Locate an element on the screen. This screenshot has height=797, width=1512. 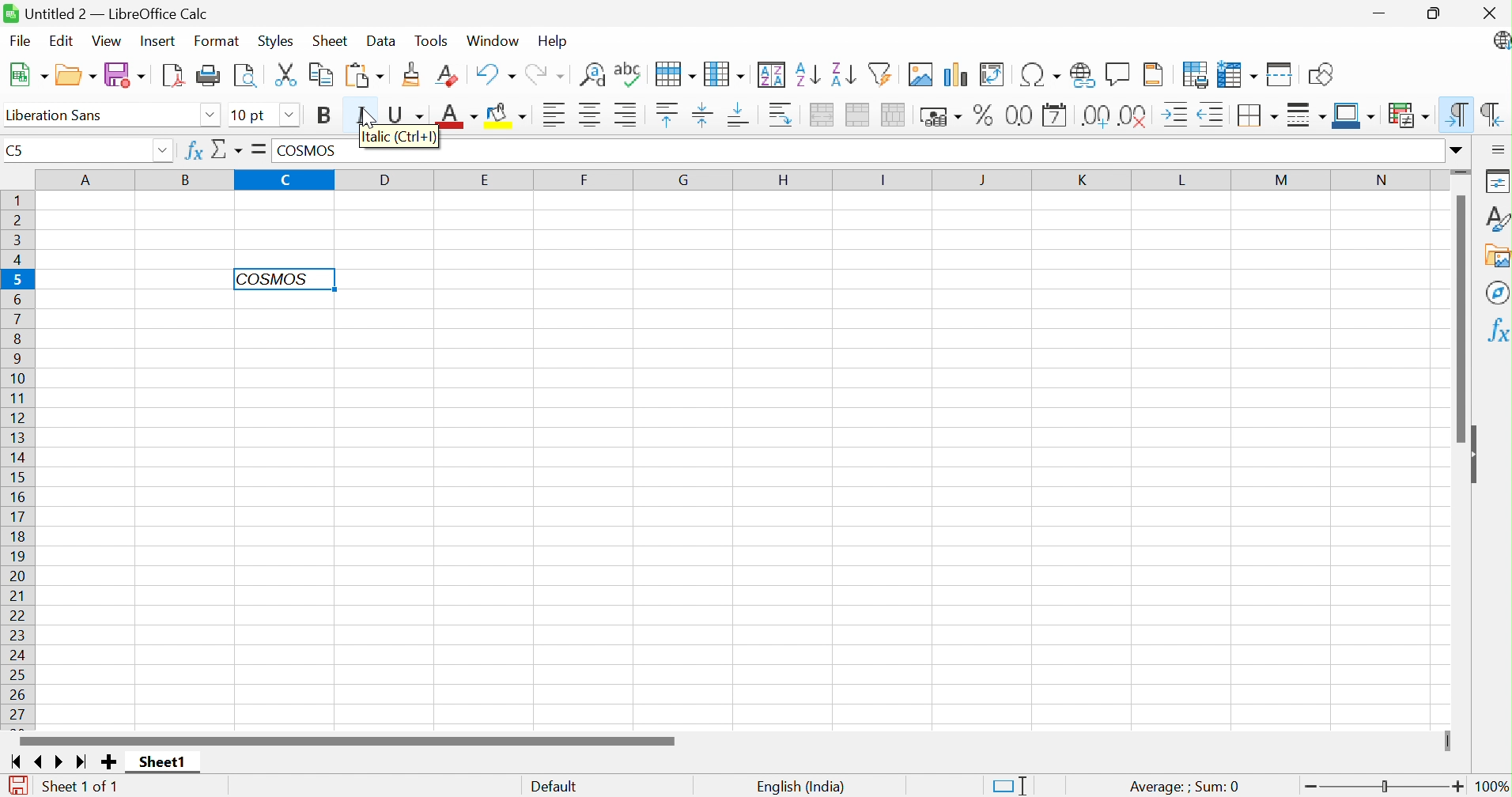
Headers and footers is located at coordinates (1153, 76).